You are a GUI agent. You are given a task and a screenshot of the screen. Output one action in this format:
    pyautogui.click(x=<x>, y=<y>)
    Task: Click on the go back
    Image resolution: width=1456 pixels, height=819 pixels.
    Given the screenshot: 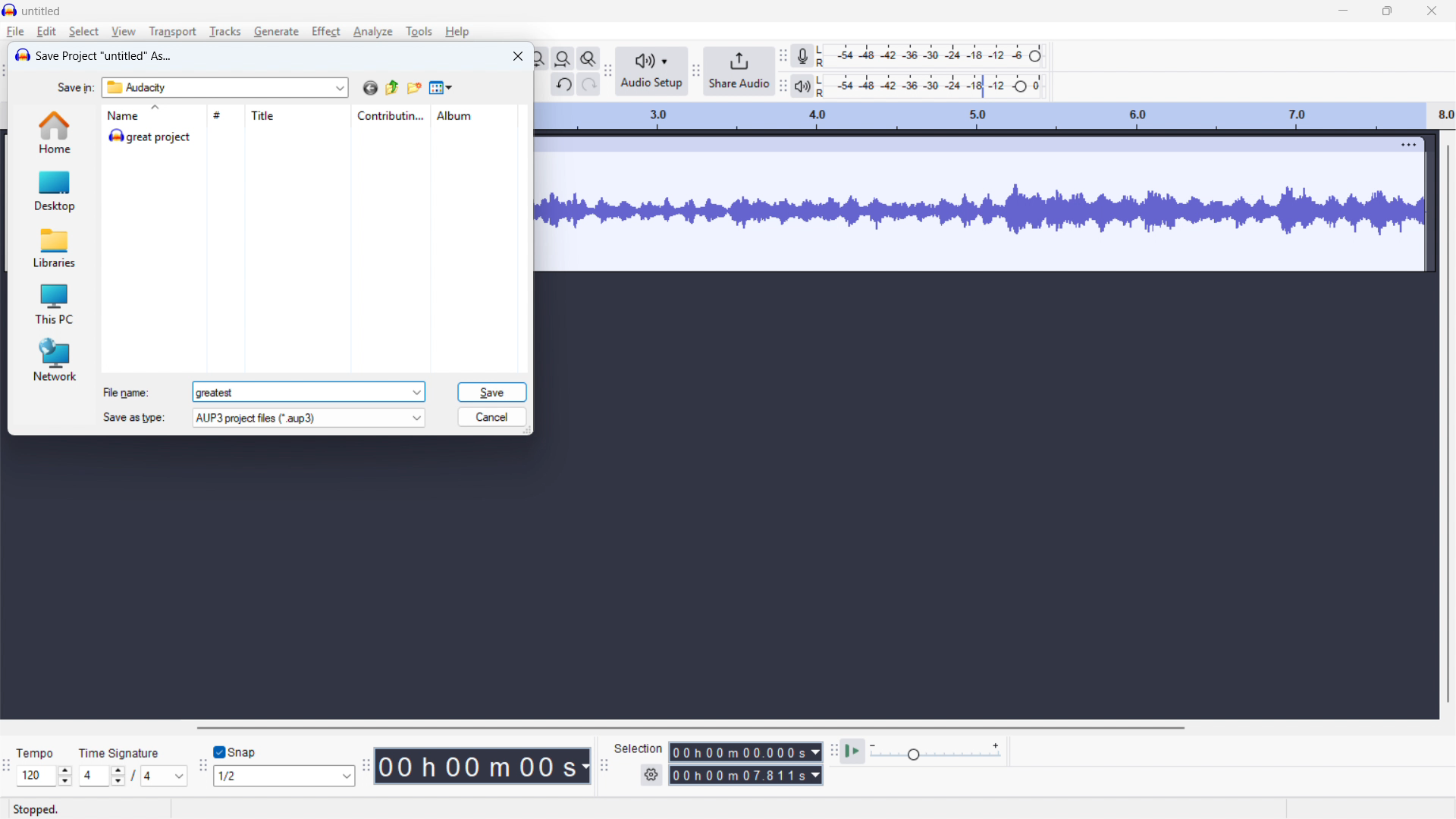 What is the action you would take?
    pyautogui.click(x=370, y=88)
    